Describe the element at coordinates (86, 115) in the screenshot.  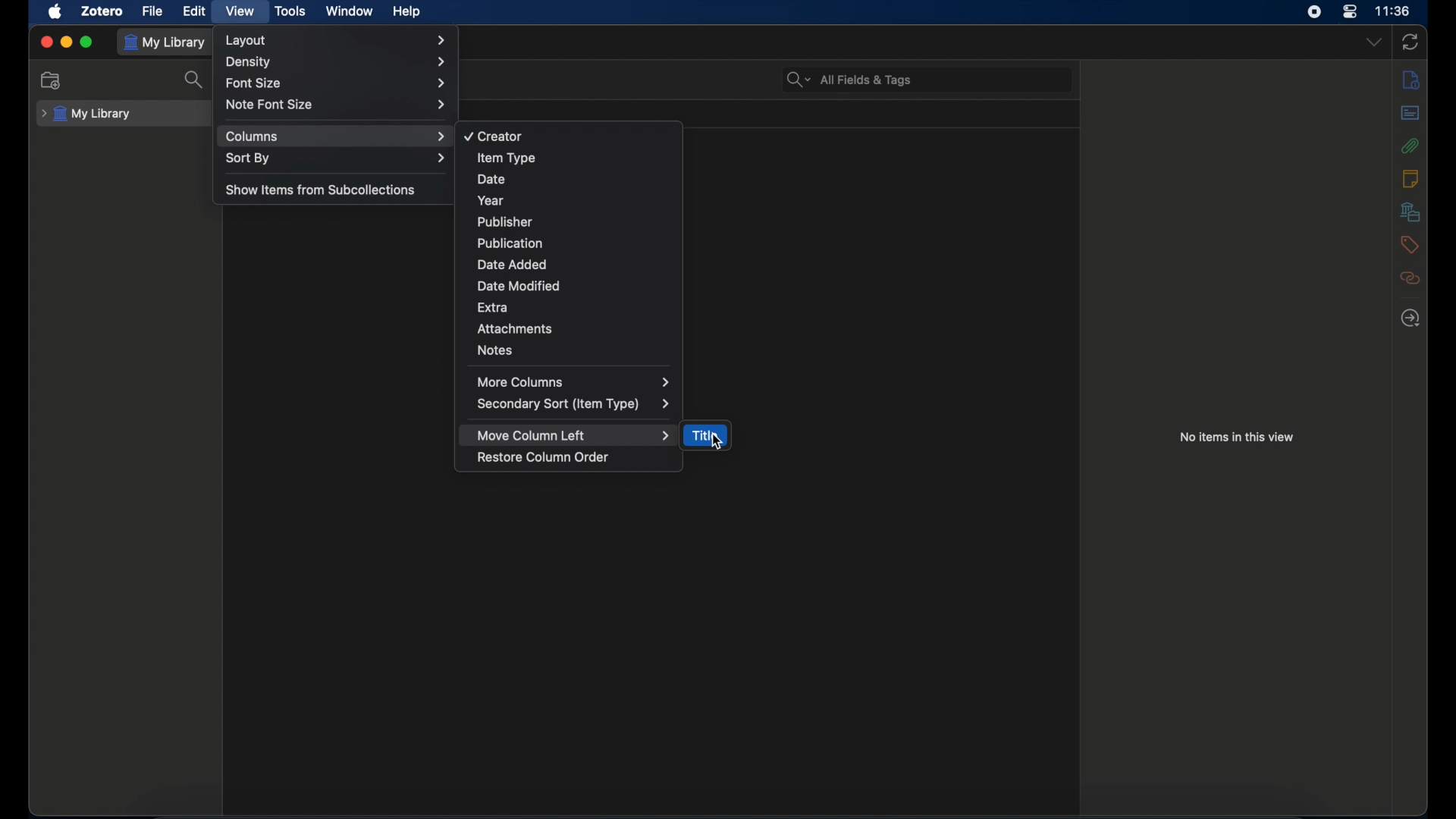
I see `my library` at that location.